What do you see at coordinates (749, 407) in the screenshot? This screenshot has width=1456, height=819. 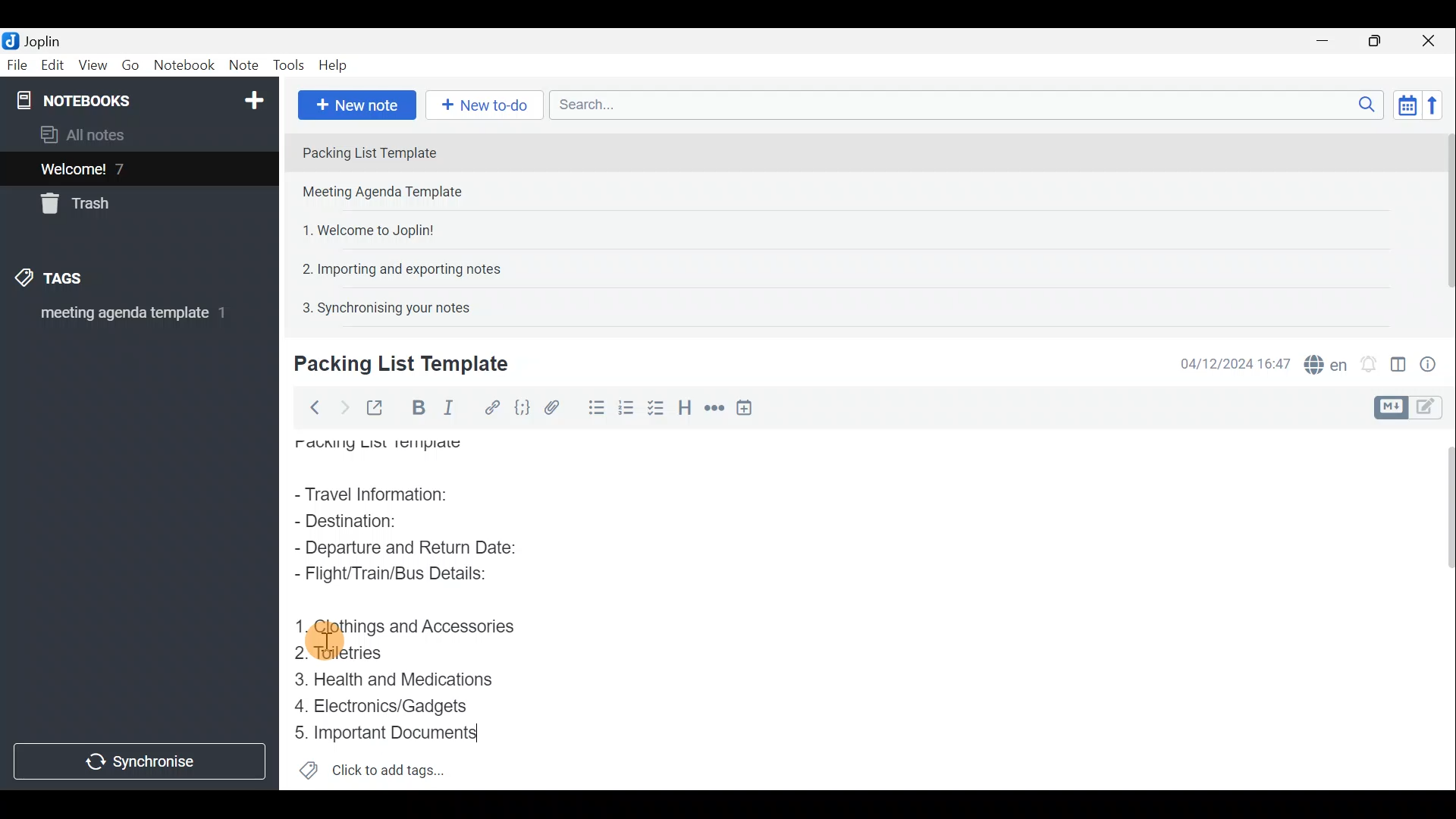 I see `Insert time` at bounding box center [749, 407].